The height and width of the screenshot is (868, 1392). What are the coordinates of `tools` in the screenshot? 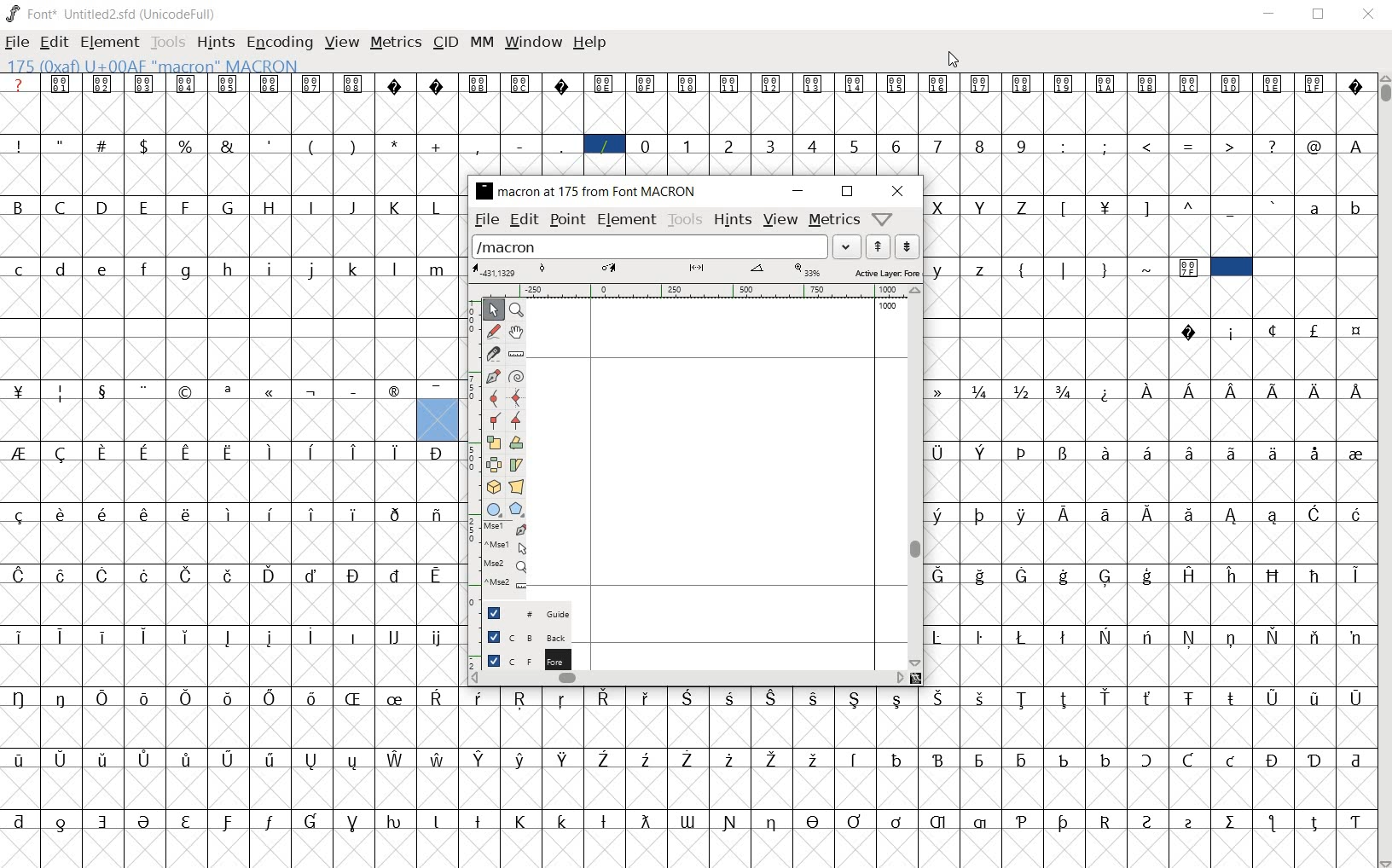 It's located at (685, 217).